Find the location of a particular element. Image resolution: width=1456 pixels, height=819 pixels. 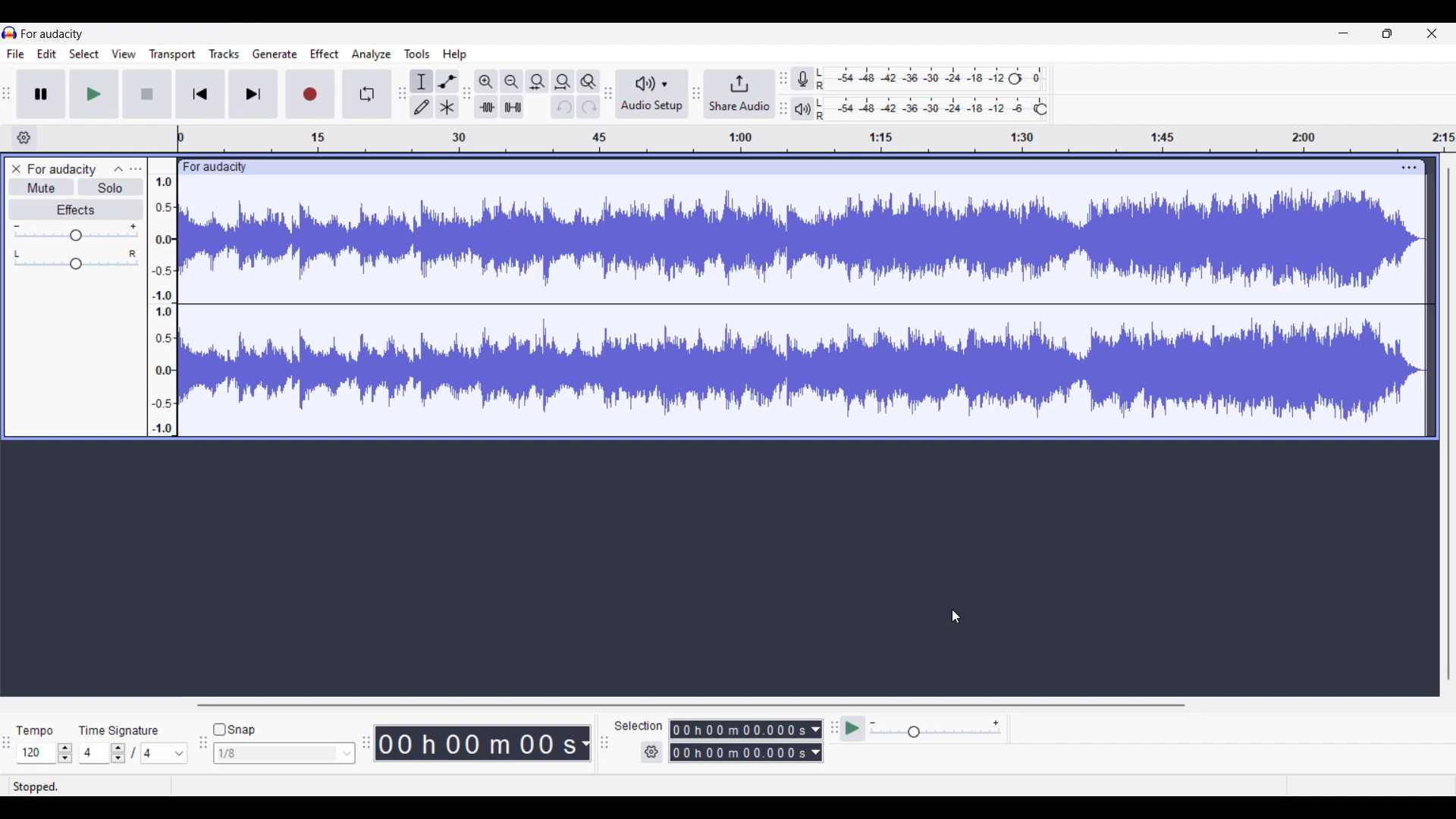

Project name is located at coordinates (61, 171).